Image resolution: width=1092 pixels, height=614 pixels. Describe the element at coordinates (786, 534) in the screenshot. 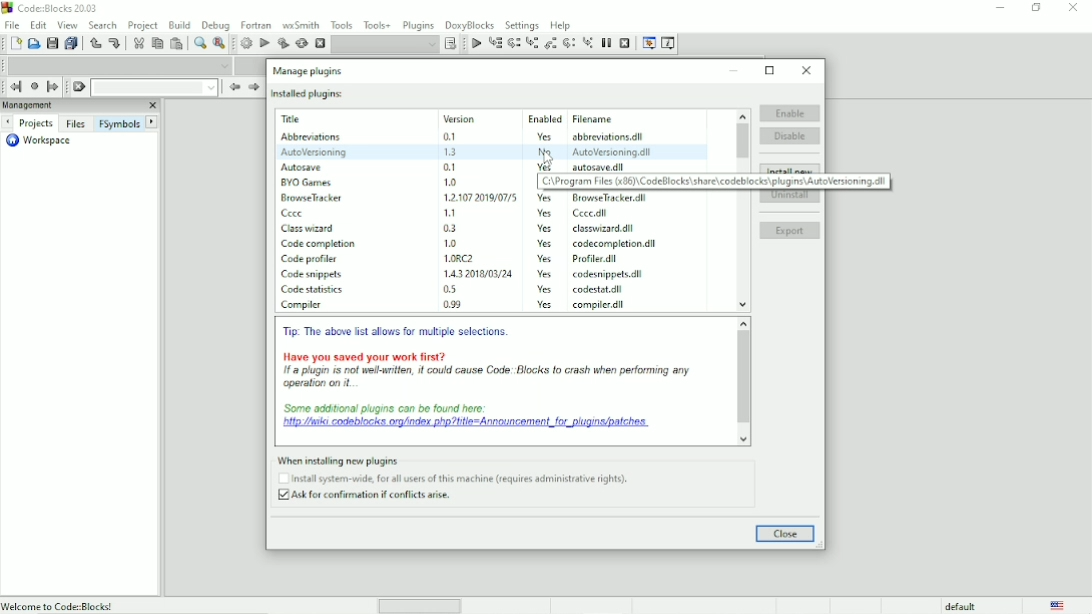

I see `Close` at that location.